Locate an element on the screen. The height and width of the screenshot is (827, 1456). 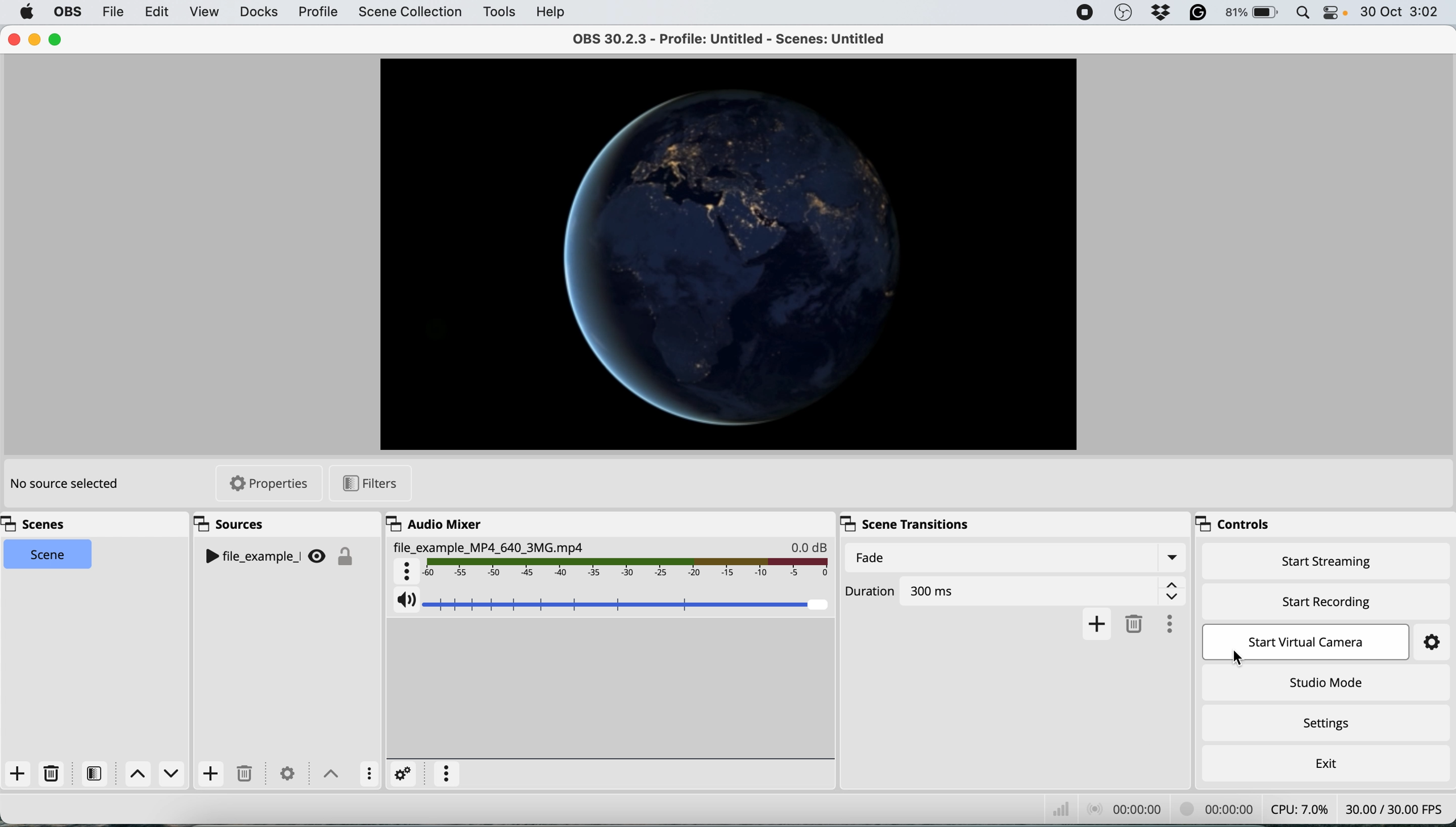
switch between scenes is located at coordinates (153, 775).